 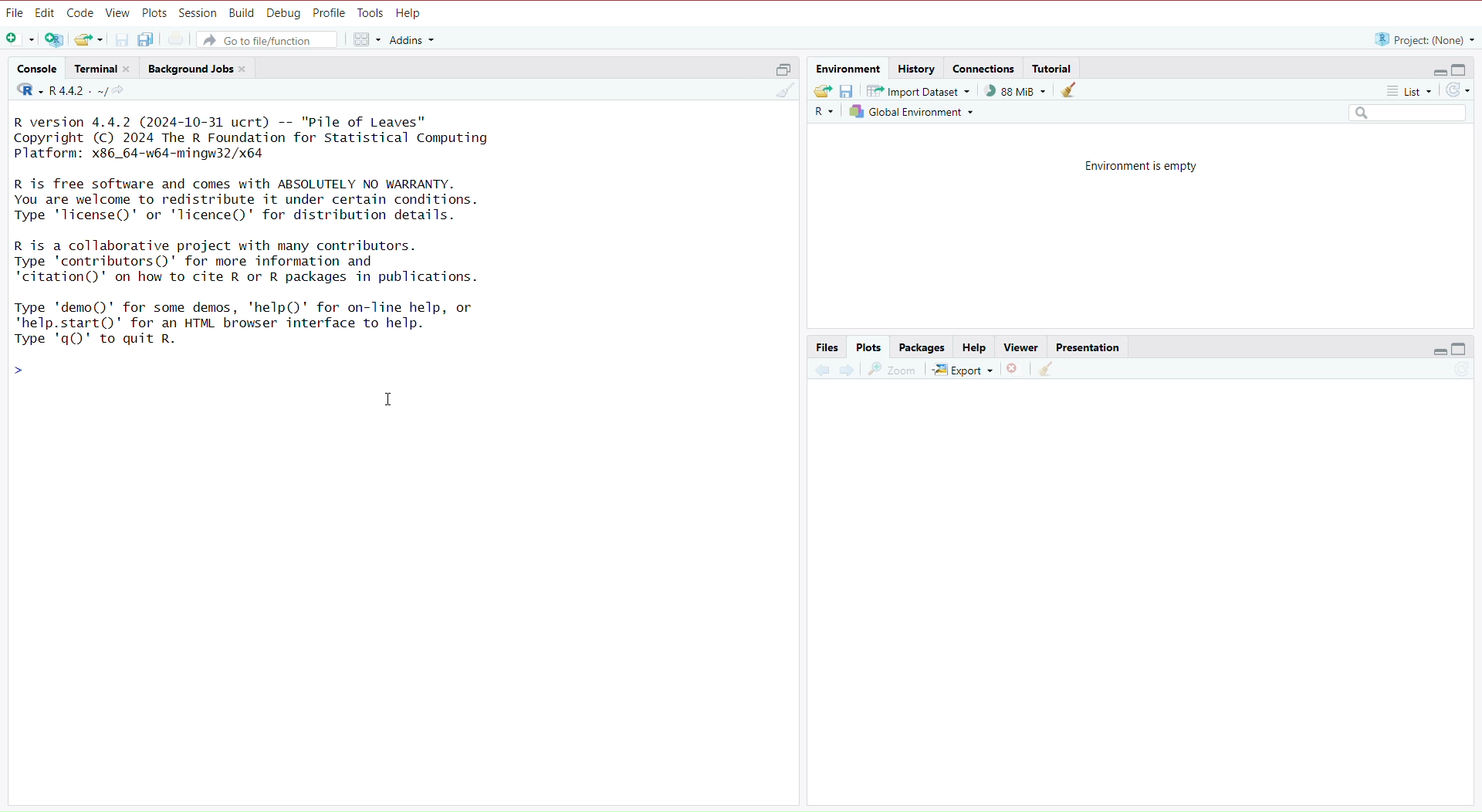 What do you see at coordinates (18, 40) in the screenshot?
I see `new script` at bounding box center [18, 40].